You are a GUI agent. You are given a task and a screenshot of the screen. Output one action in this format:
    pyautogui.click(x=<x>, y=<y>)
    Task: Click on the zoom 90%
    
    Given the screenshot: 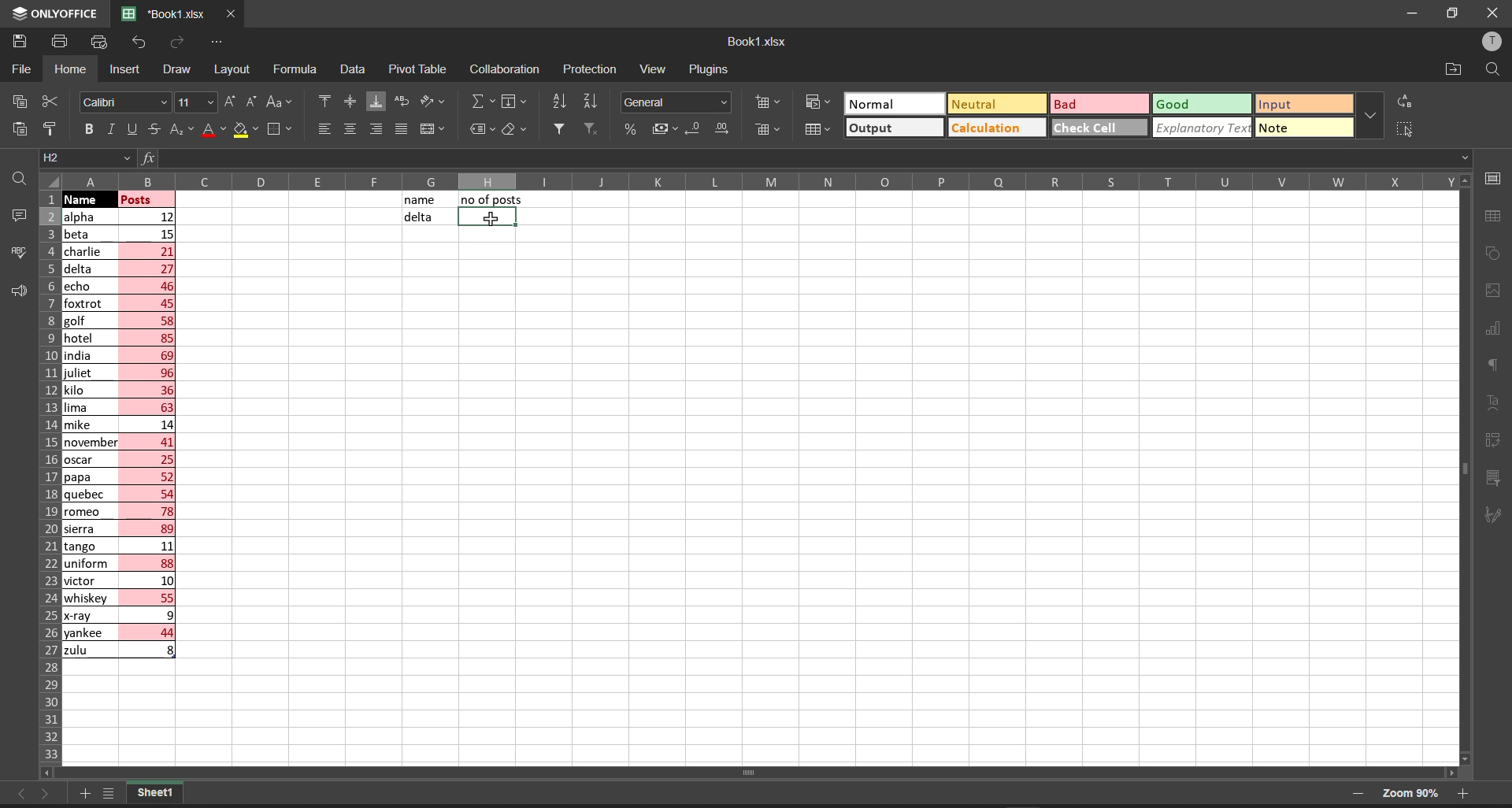 What is the action you would take?
    pyautogui.click(x=1409, y=793)
    